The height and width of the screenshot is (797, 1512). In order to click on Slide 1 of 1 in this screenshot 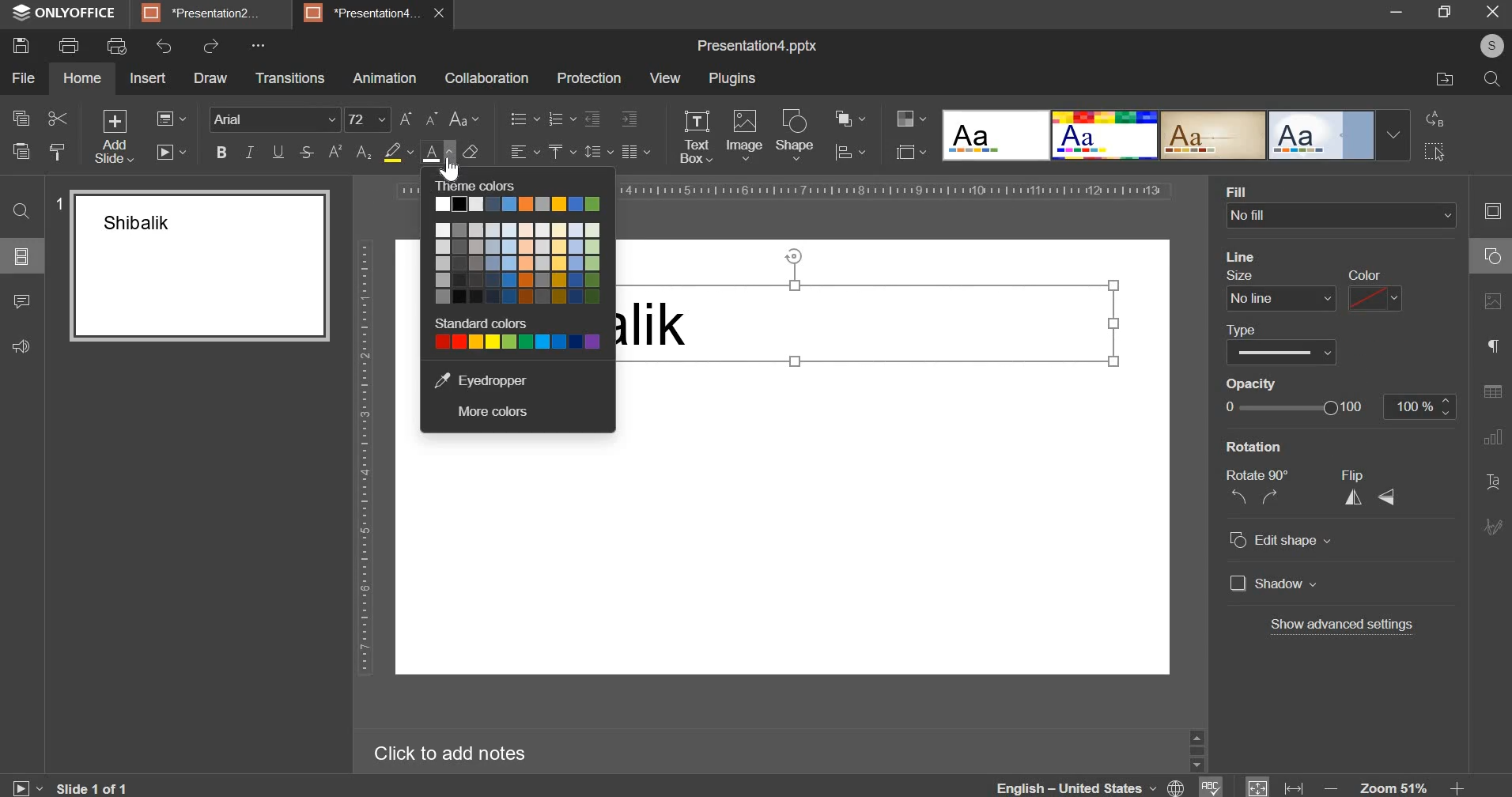, I will do `click(99, 786)`.